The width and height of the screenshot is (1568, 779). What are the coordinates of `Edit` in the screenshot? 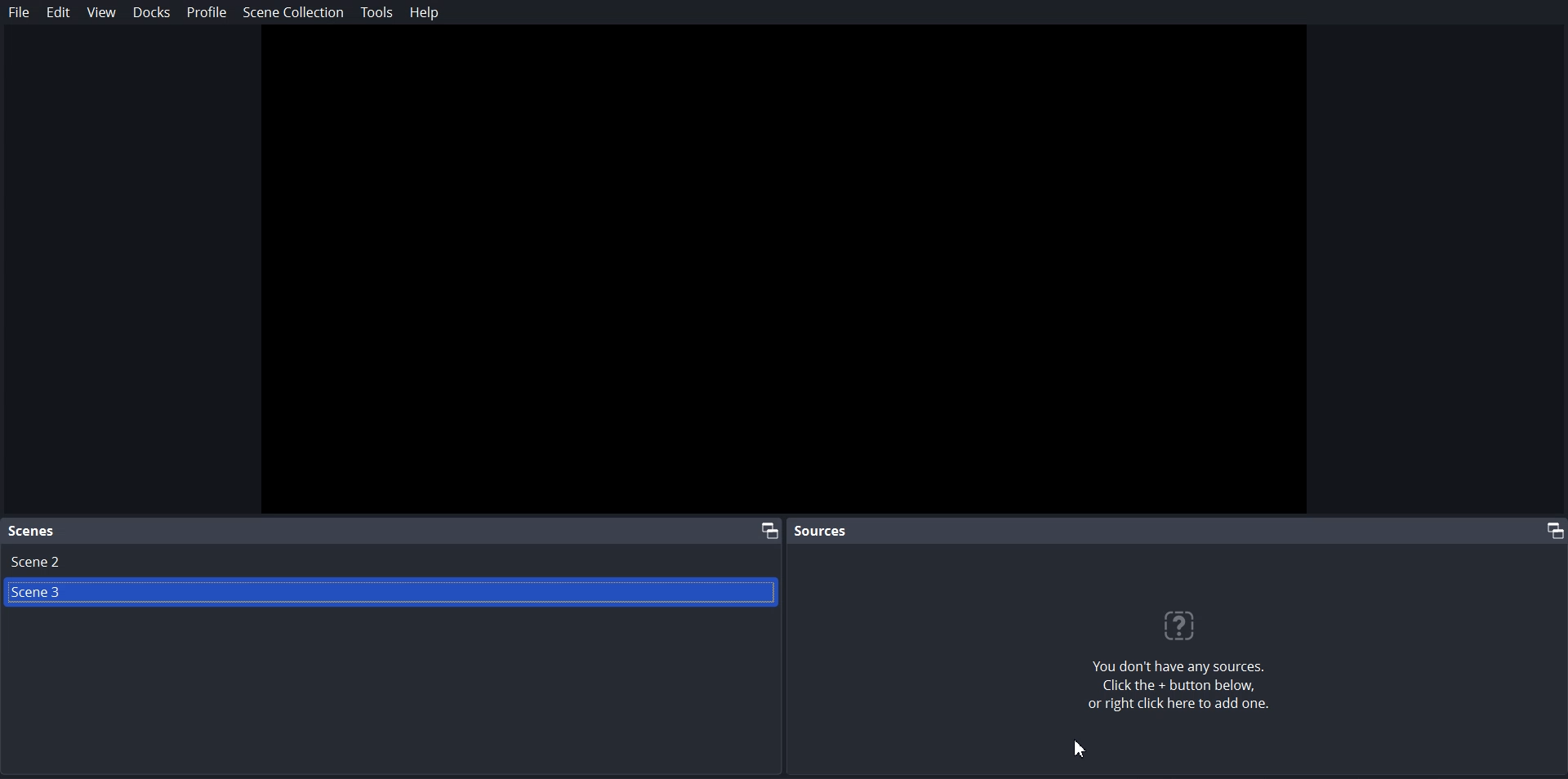 It's located at (58, 12).